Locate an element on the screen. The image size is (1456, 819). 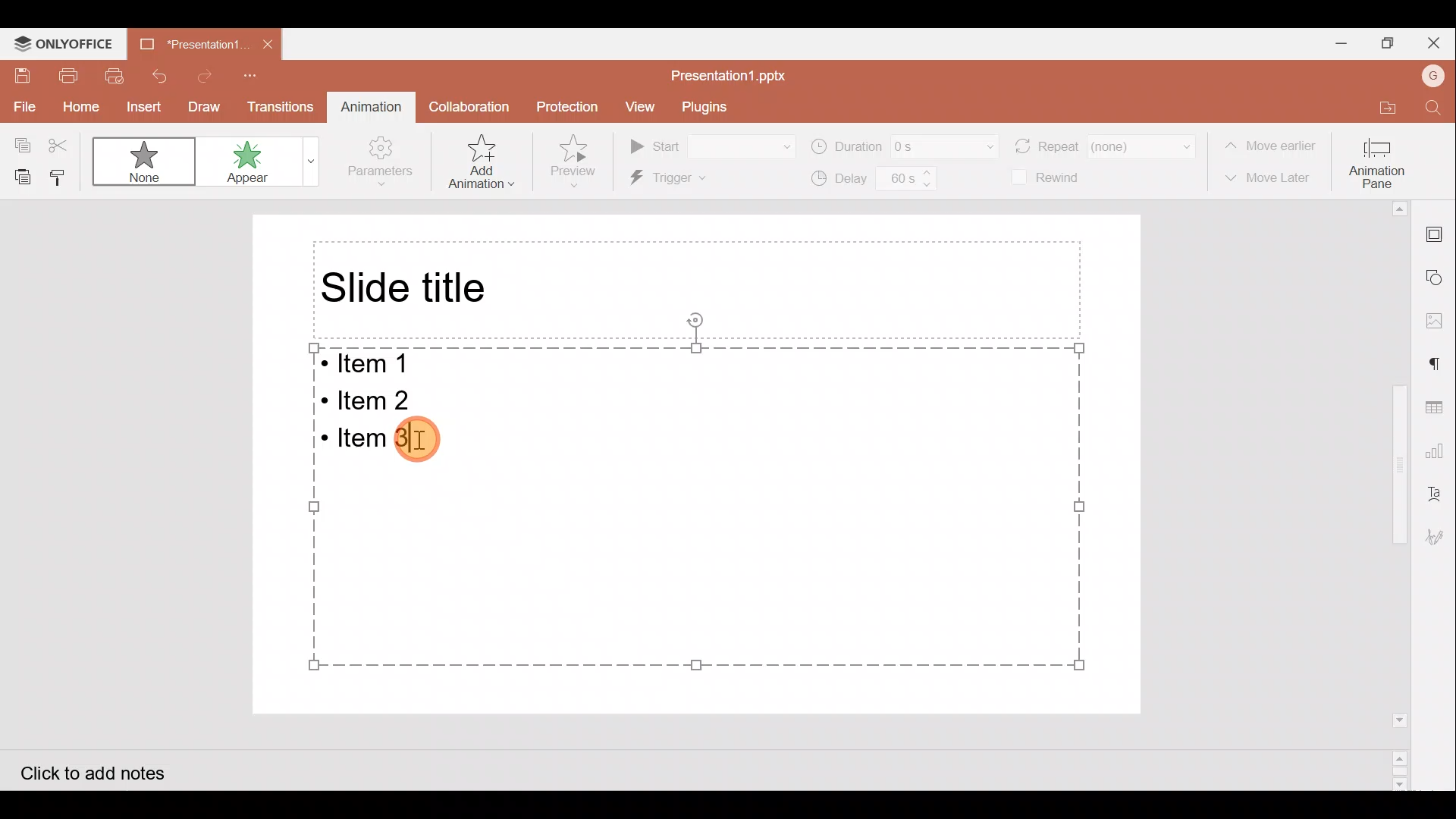
Preview is located at coordinates (579, 161).